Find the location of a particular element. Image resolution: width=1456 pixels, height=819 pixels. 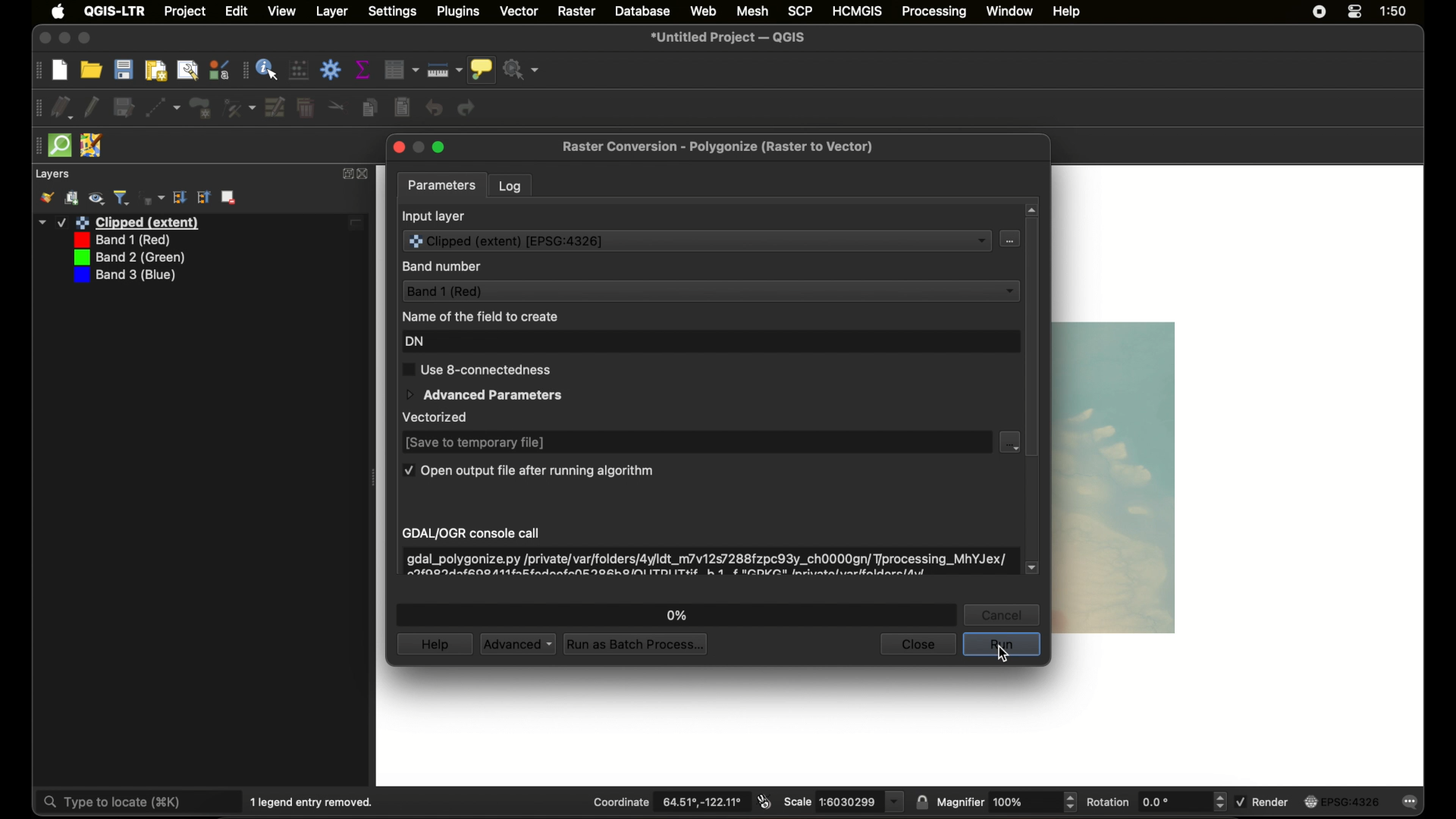

dropdown menu is located at coordinates (1009, 442).